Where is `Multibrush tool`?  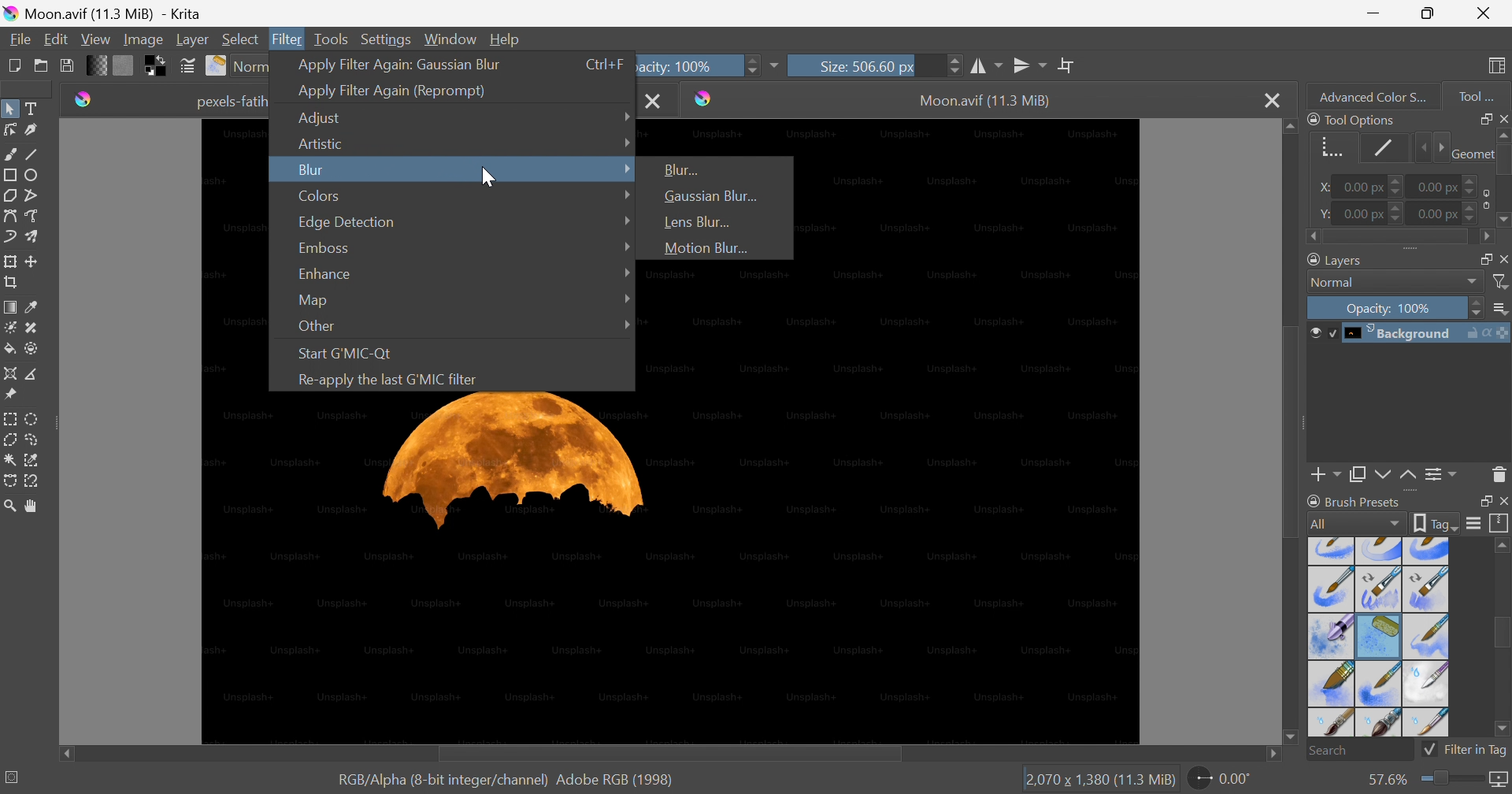
Multibrush tool is located at coordinates (34, 236).